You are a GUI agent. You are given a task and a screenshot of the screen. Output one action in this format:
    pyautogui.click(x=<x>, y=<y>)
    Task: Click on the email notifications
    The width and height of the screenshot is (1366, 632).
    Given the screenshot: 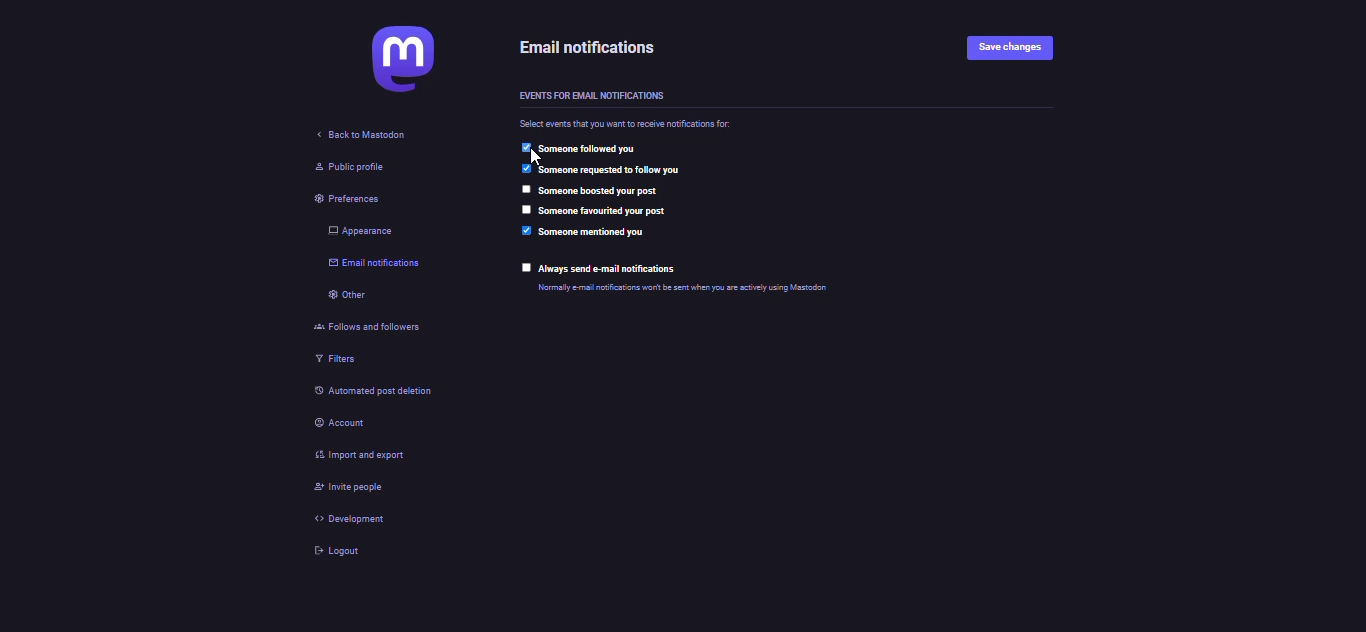 What is the action you would take?
    pyautogui.click(x=586, y=48)
    